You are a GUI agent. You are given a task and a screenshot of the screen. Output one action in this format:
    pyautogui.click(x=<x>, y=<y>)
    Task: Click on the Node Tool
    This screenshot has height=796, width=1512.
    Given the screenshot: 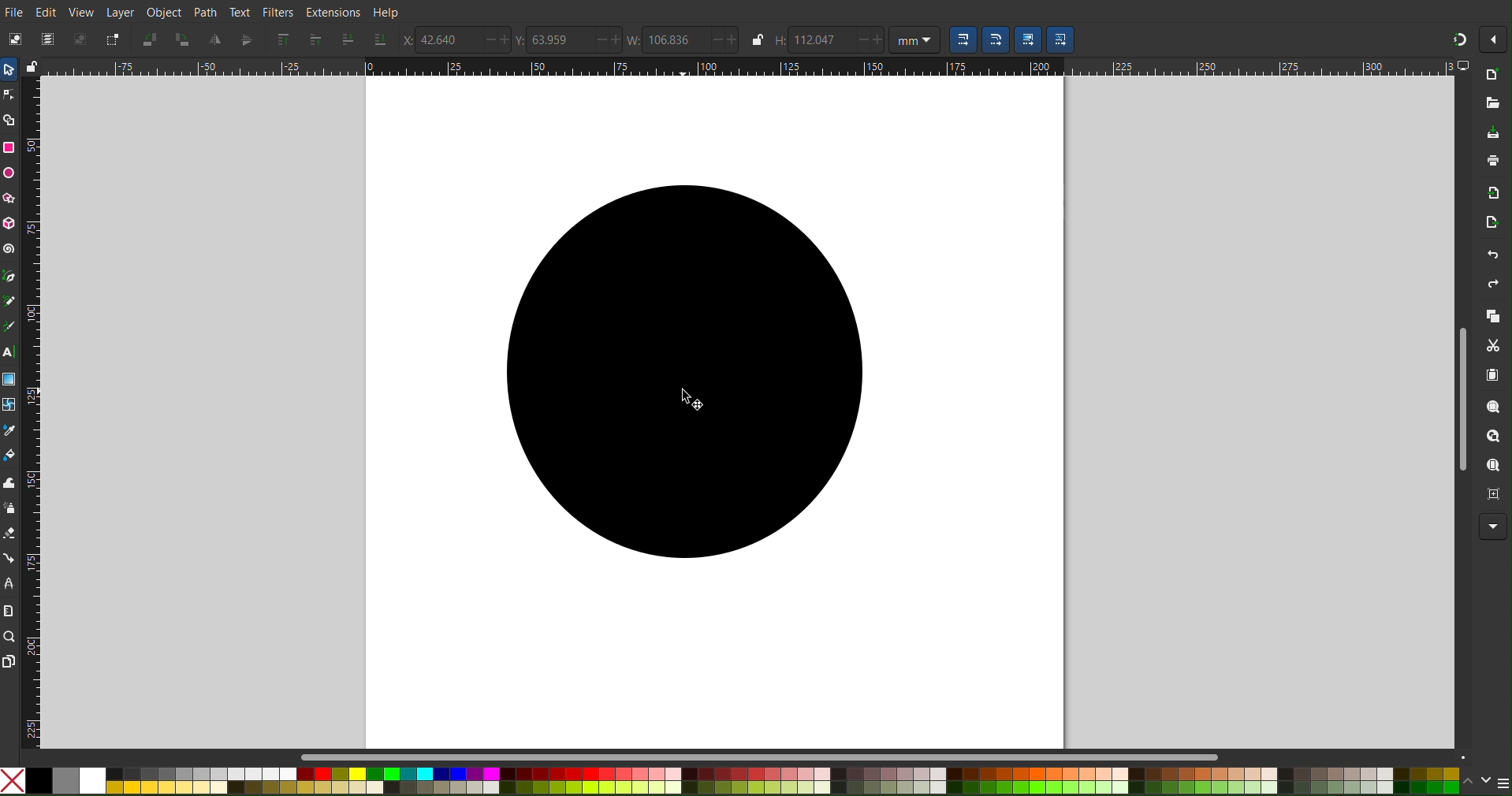 What is the action you would take?
    pyautogui.click(x=9, y=95)
    